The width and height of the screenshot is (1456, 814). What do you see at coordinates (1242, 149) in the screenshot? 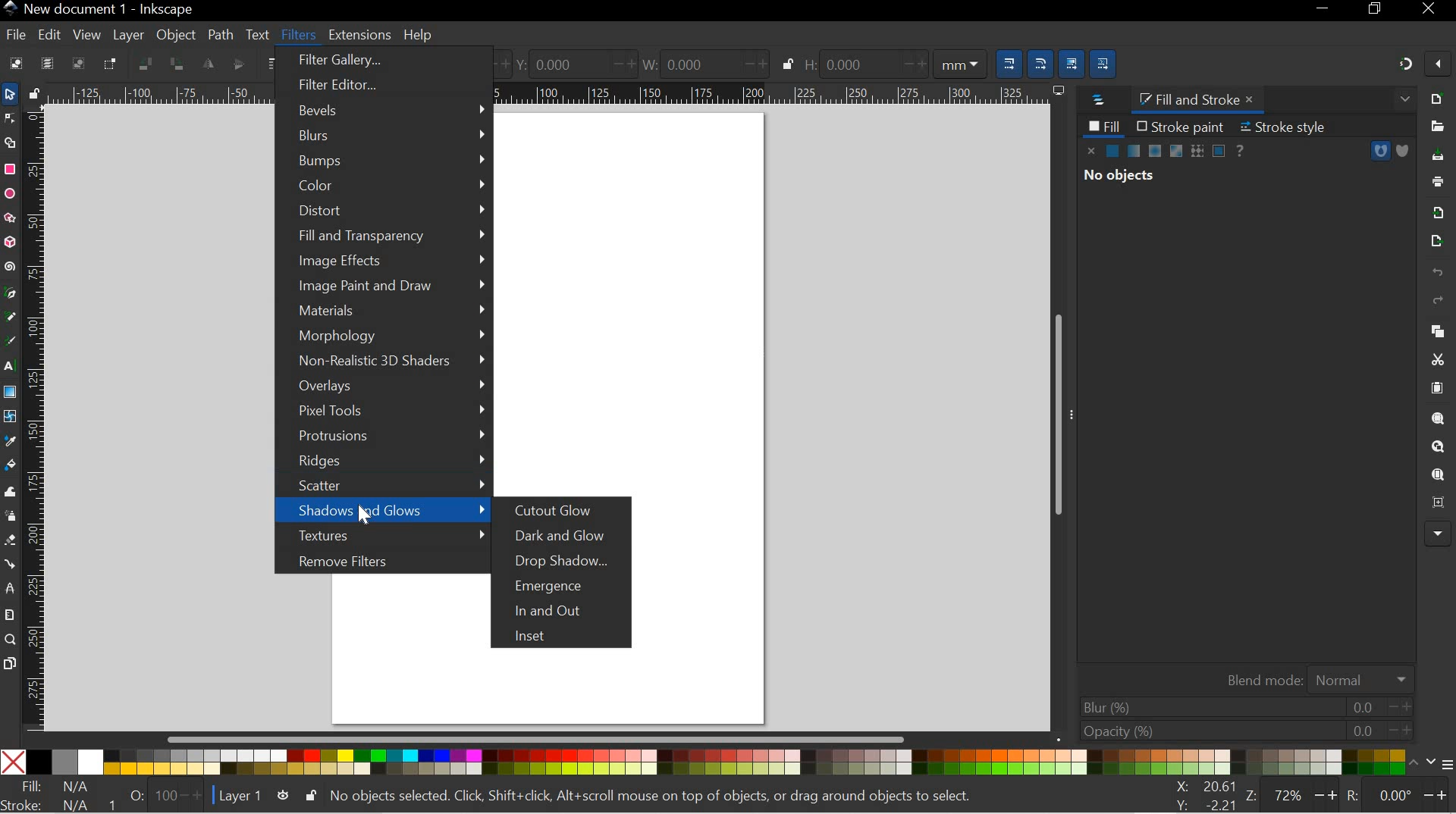
I see `UNSET PAINT` at bounding box center [1242, 149].